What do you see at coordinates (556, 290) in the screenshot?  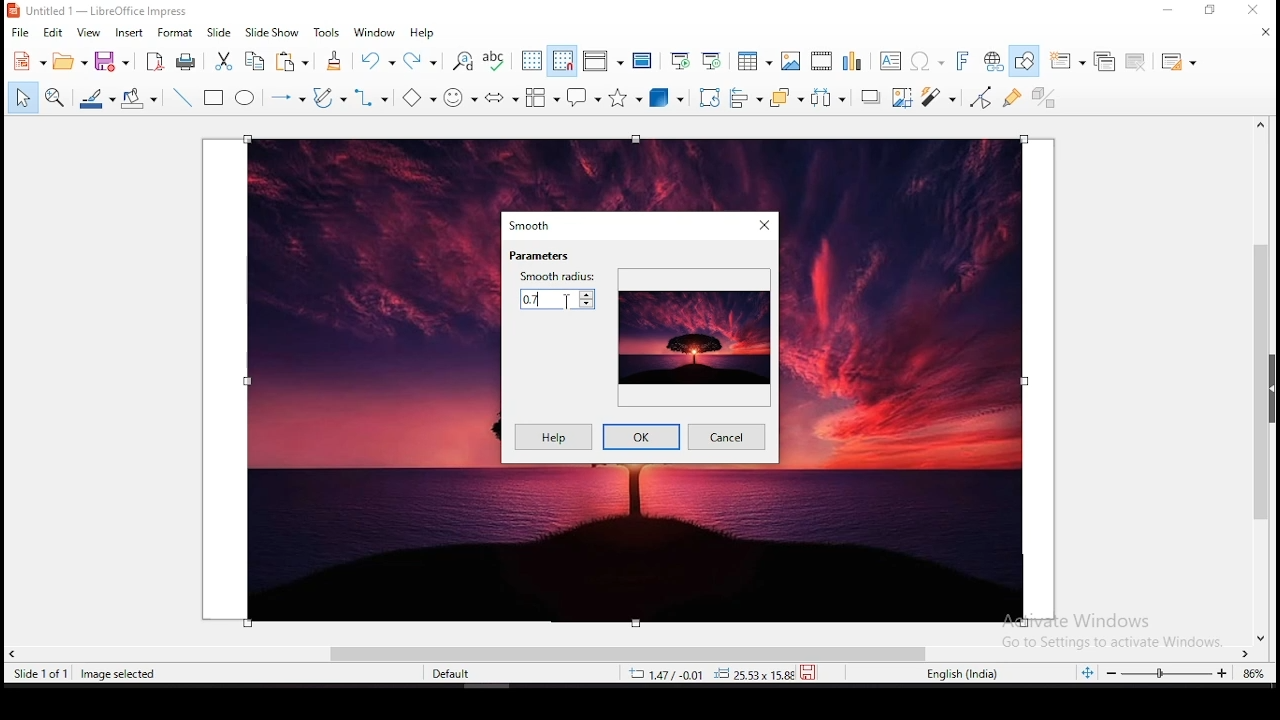 I see `smooth radius` at bounding box center [556, 290].